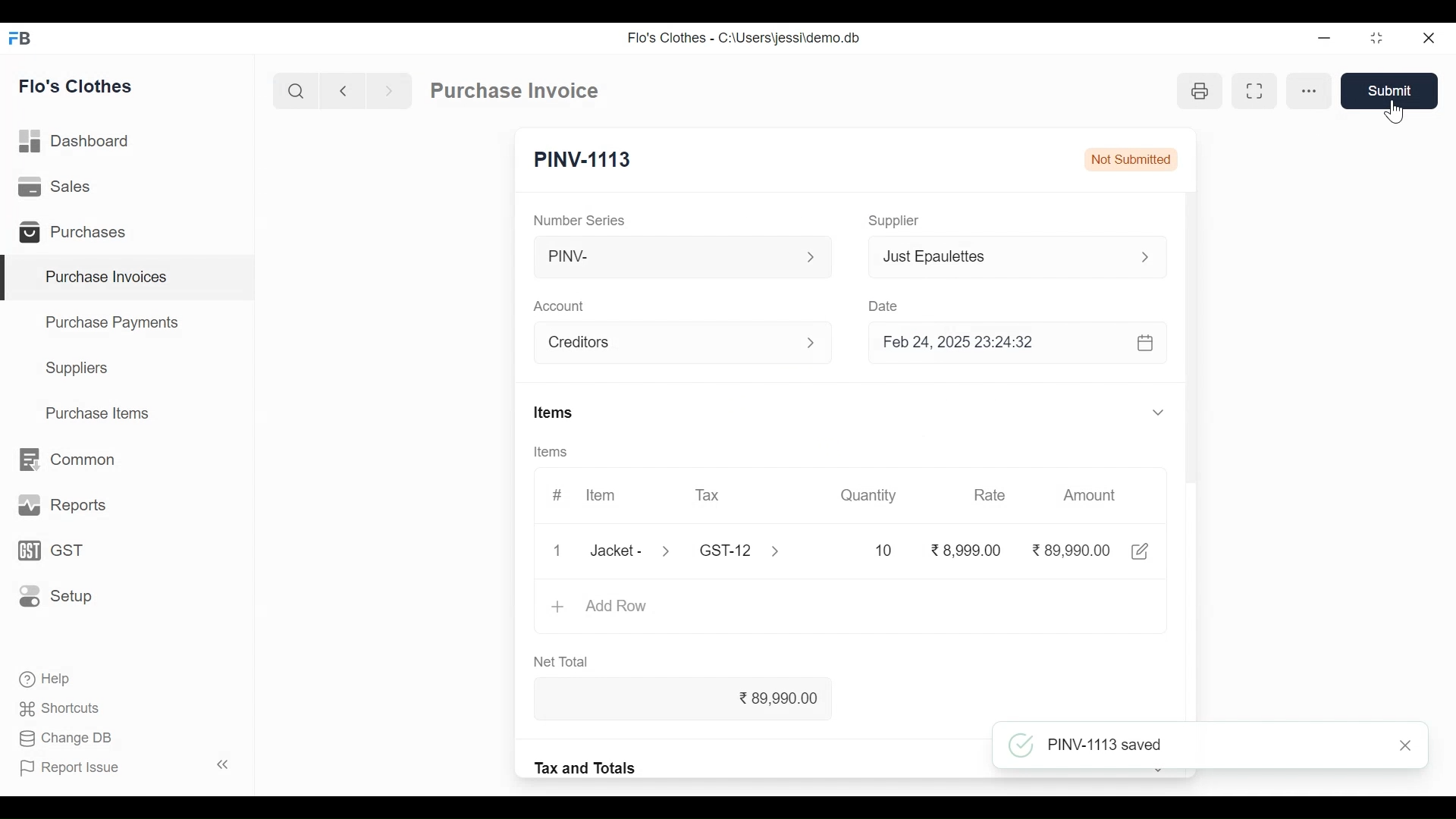  I want to click on Jacket -, so click(617, 550).